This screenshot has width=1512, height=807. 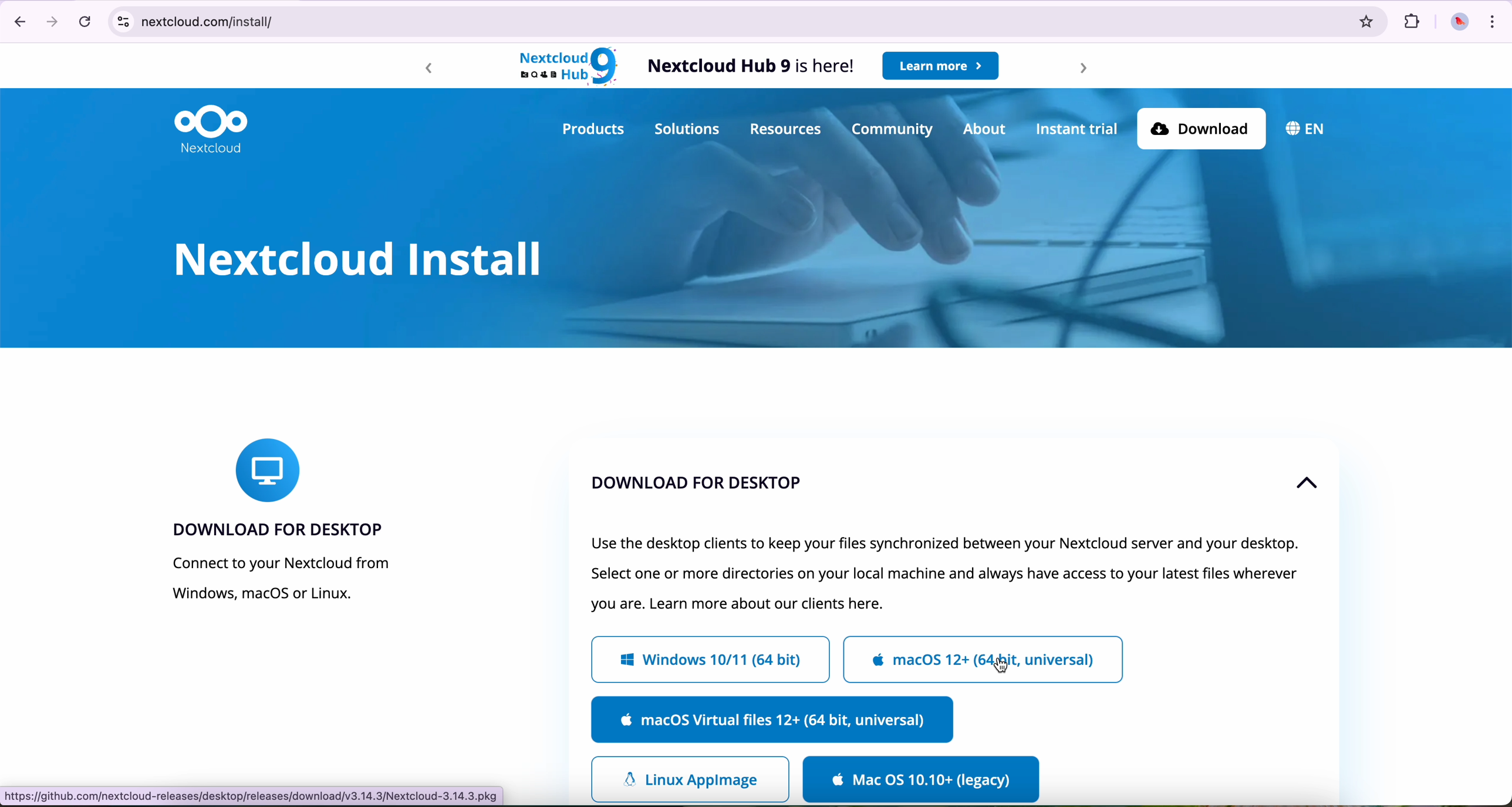 I want to click on download button, so click(x=1202, y=130).